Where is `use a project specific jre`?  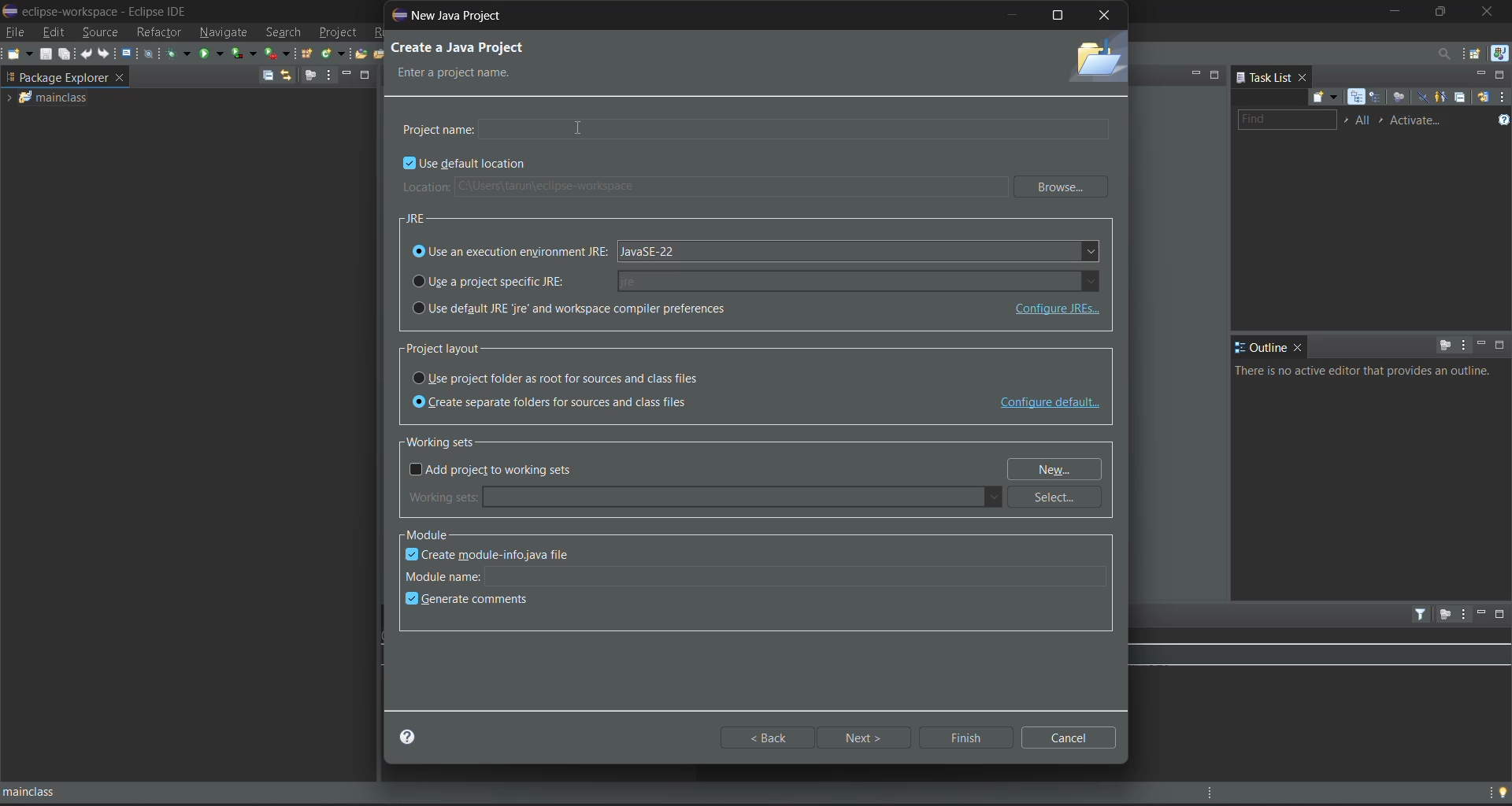
use a project specific jre is located at coordinates (757, 279).